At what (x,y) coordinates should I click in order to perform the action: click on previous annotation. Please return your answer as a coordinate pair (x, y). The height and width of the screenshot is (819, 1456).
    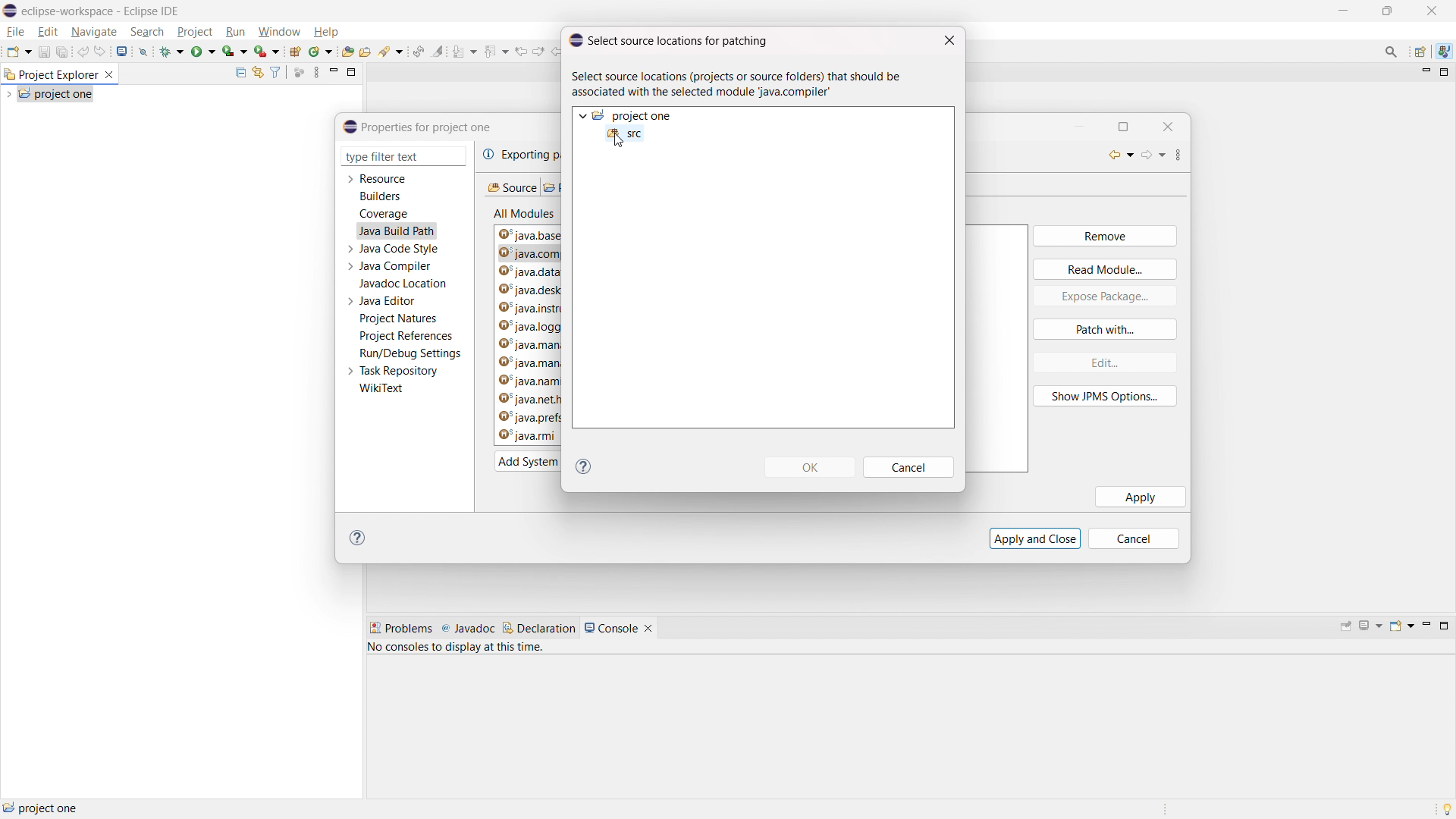
    Looking at the image, I should click on (495, 50).